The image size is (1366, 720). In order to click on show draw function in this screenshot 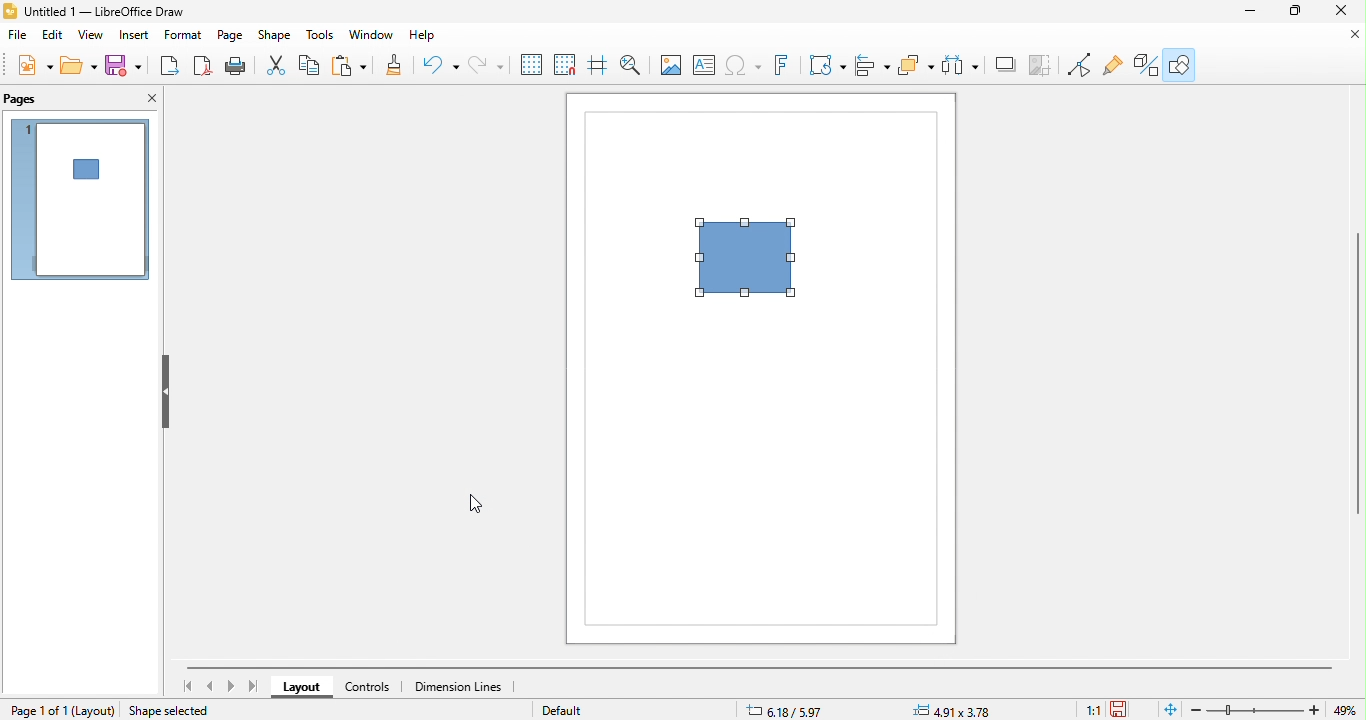, I will do `click(1179, 63)`.